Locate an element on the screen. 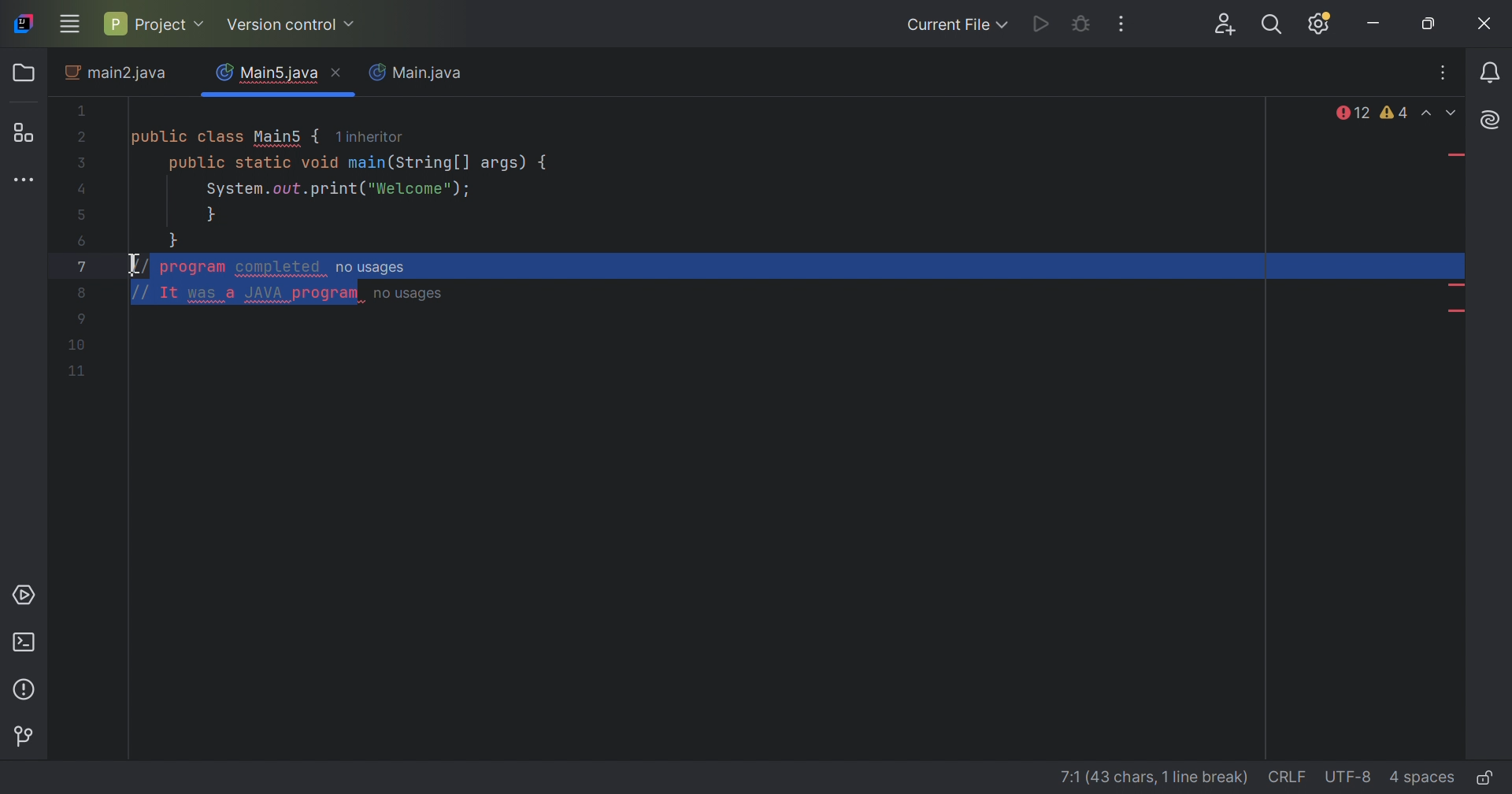 This screenshot has height=794, width=1512. Terminal is located at coordinates (27, 642).